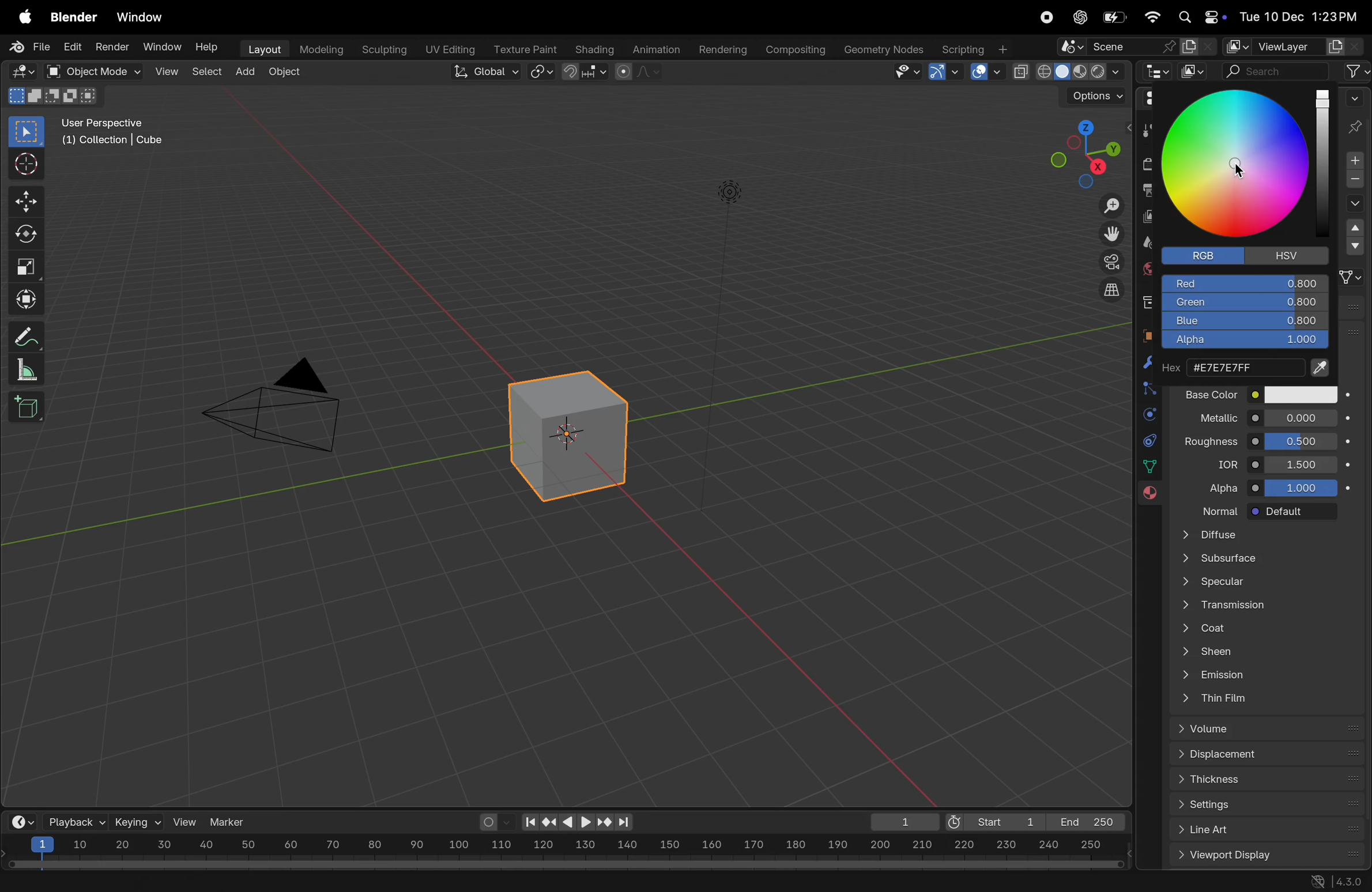 This screenshot has width=1372, height=892. Describe the element at coordinates (1222, 464) in the screenshot. I see `idr` at that location.